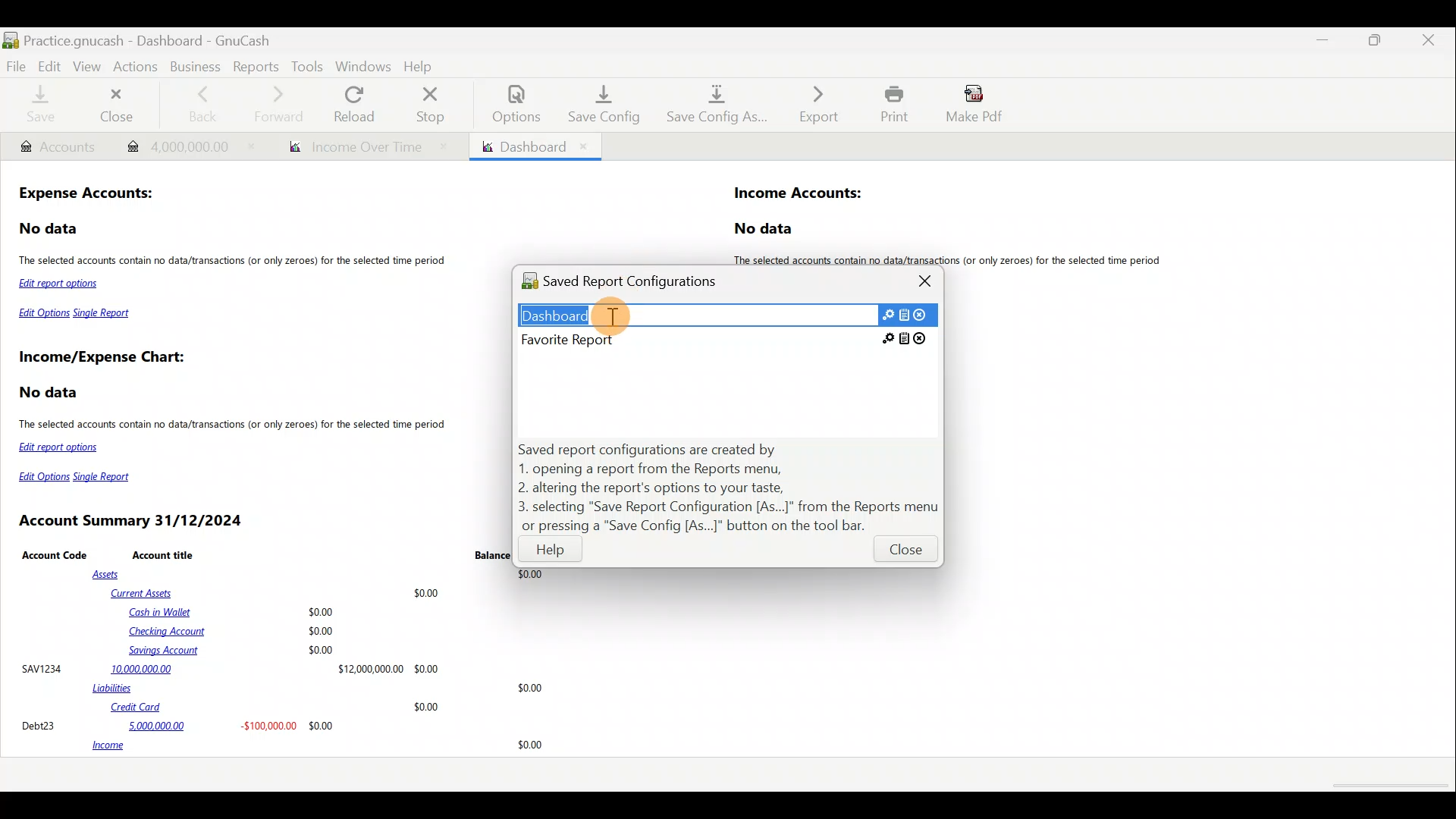 The image size is (1456, 819). Describe the element at coordinates (202, 102) in the screenshot. I see `Back` at that location.